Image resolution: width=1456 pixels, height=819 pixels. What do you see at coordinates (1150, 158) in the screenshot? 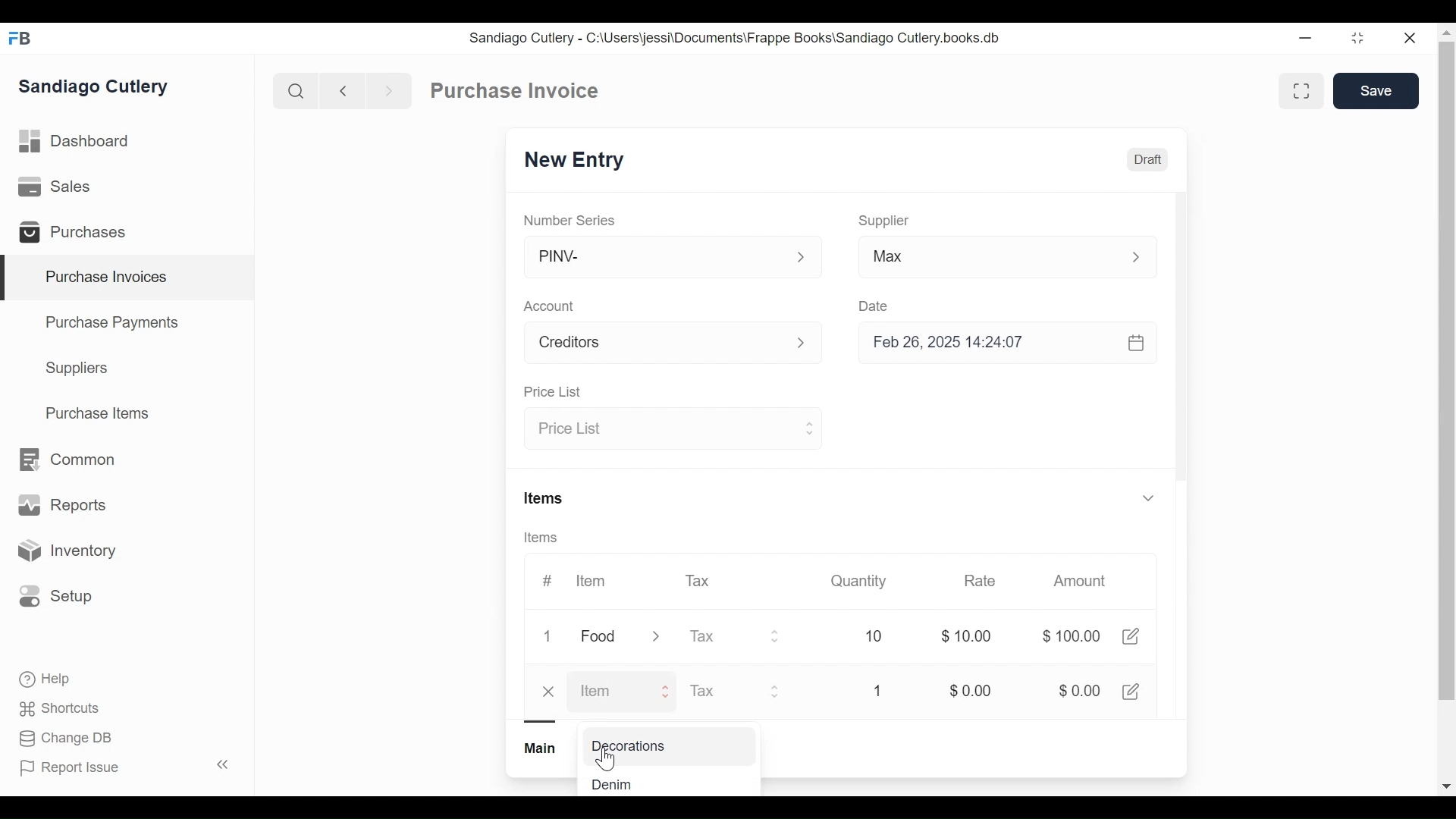
I see `Draft` at bounding box center [1150, 158].